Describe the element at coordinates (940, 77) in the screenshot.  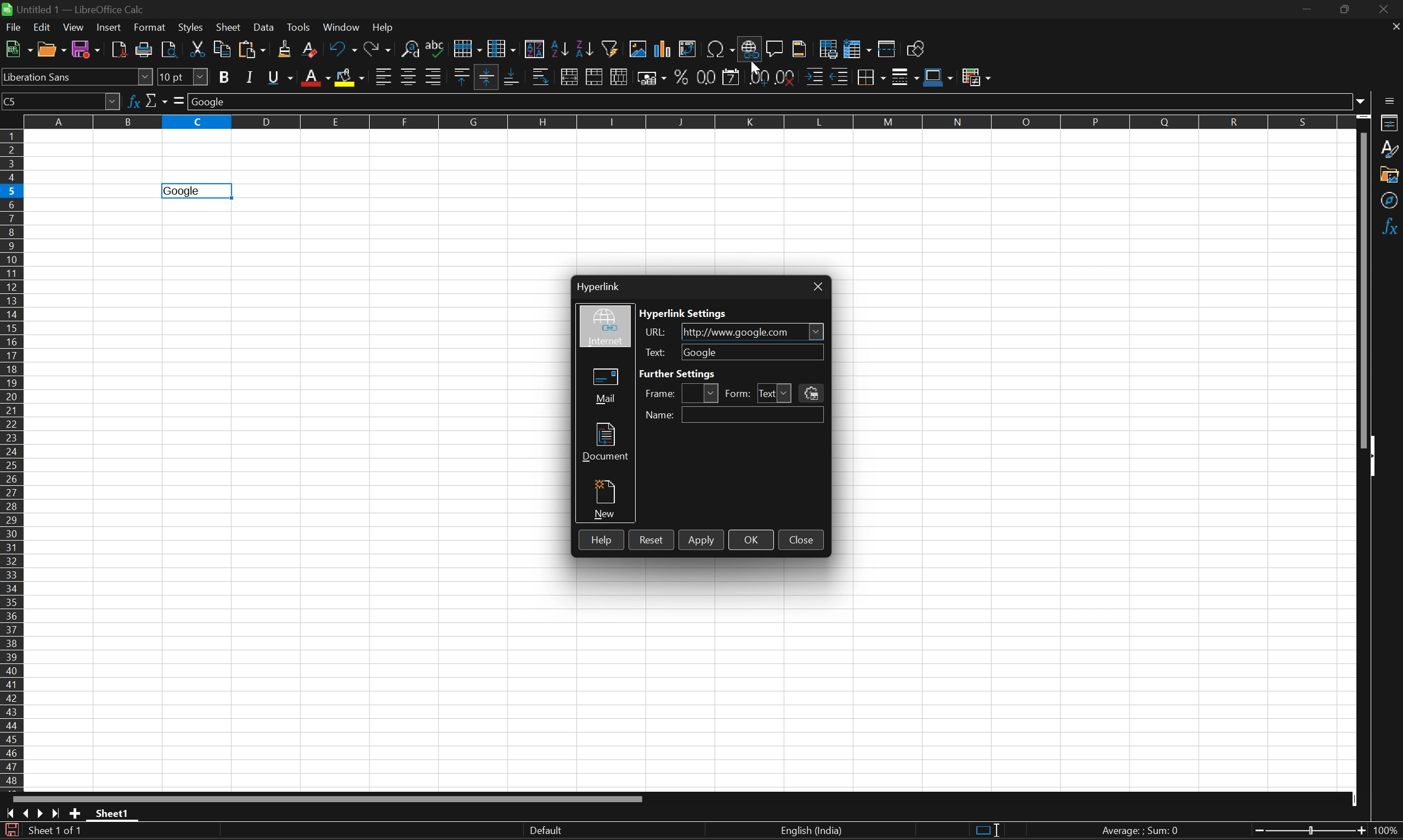
I see `Border color (Blue)` at that location.